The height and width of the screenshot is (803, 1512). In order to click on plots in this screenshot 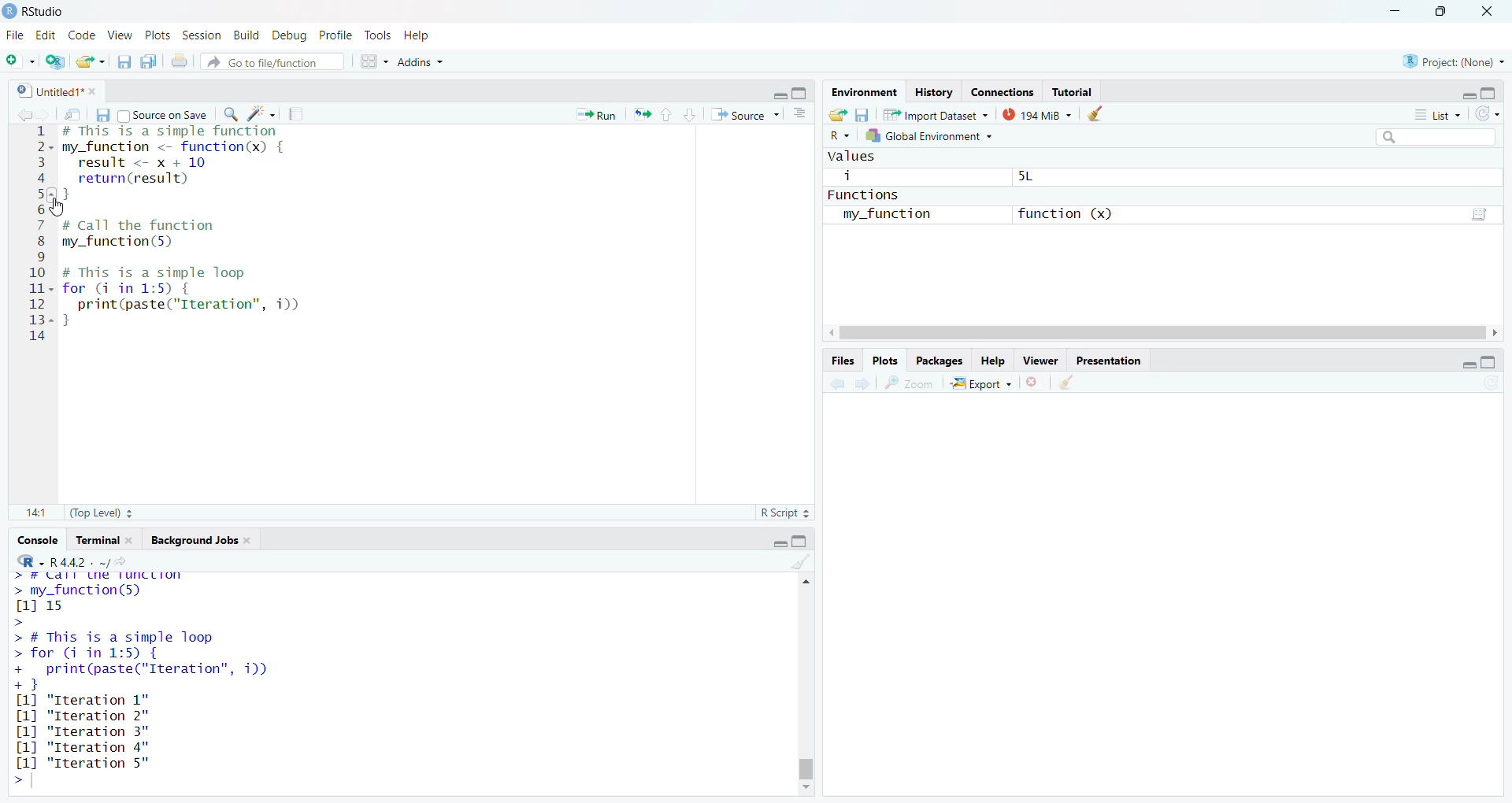, I will do `click(886, 361)`.